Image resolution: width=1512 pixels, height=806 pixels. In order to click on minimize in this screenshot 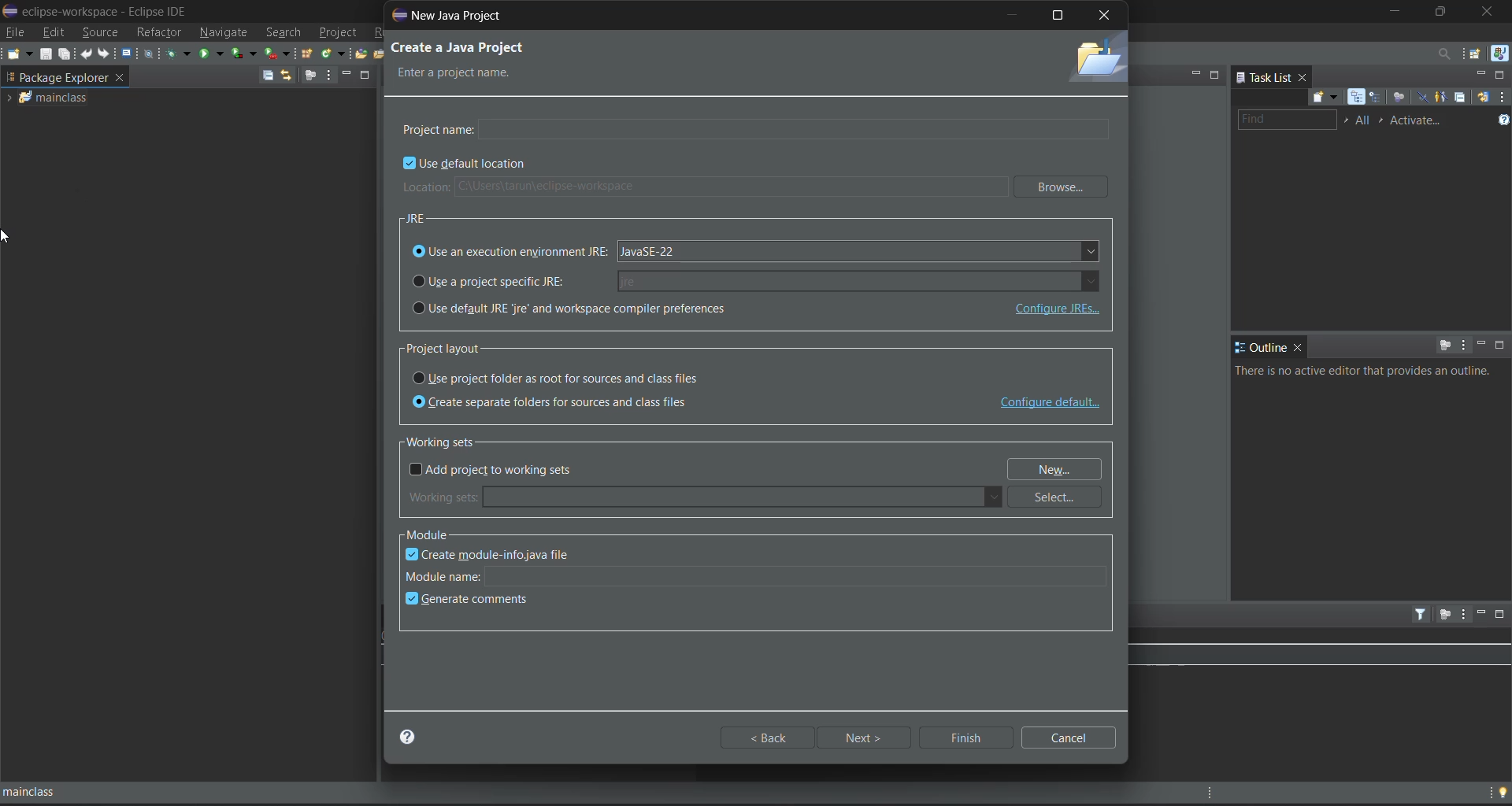, I will do `click(1480, 75)`.